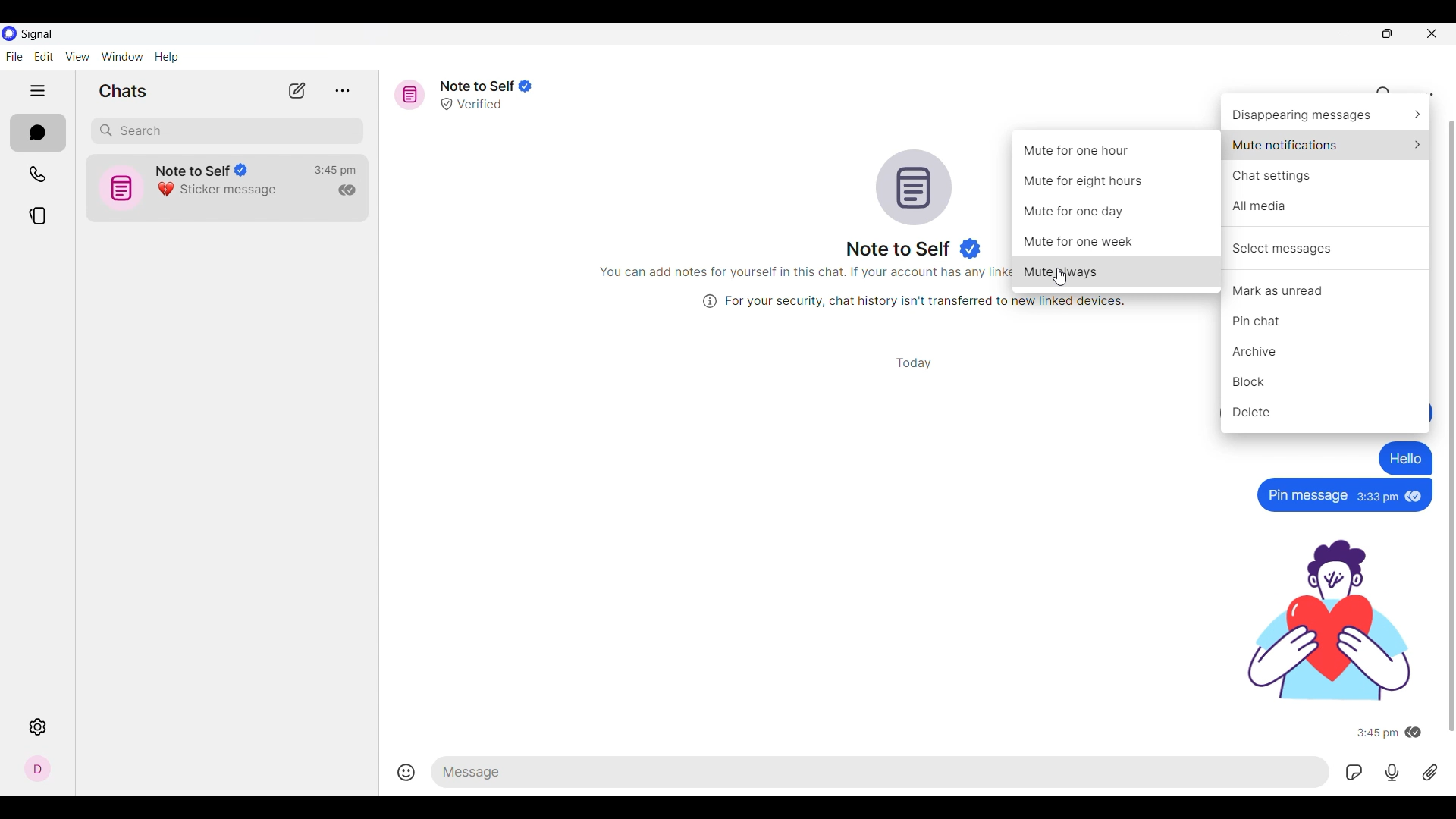 The height and width of the screenshot is (819, 1456). What do you see at coordinates (119, 187) in the screenshot?
I see `icon` at bounding box center [119, 187].